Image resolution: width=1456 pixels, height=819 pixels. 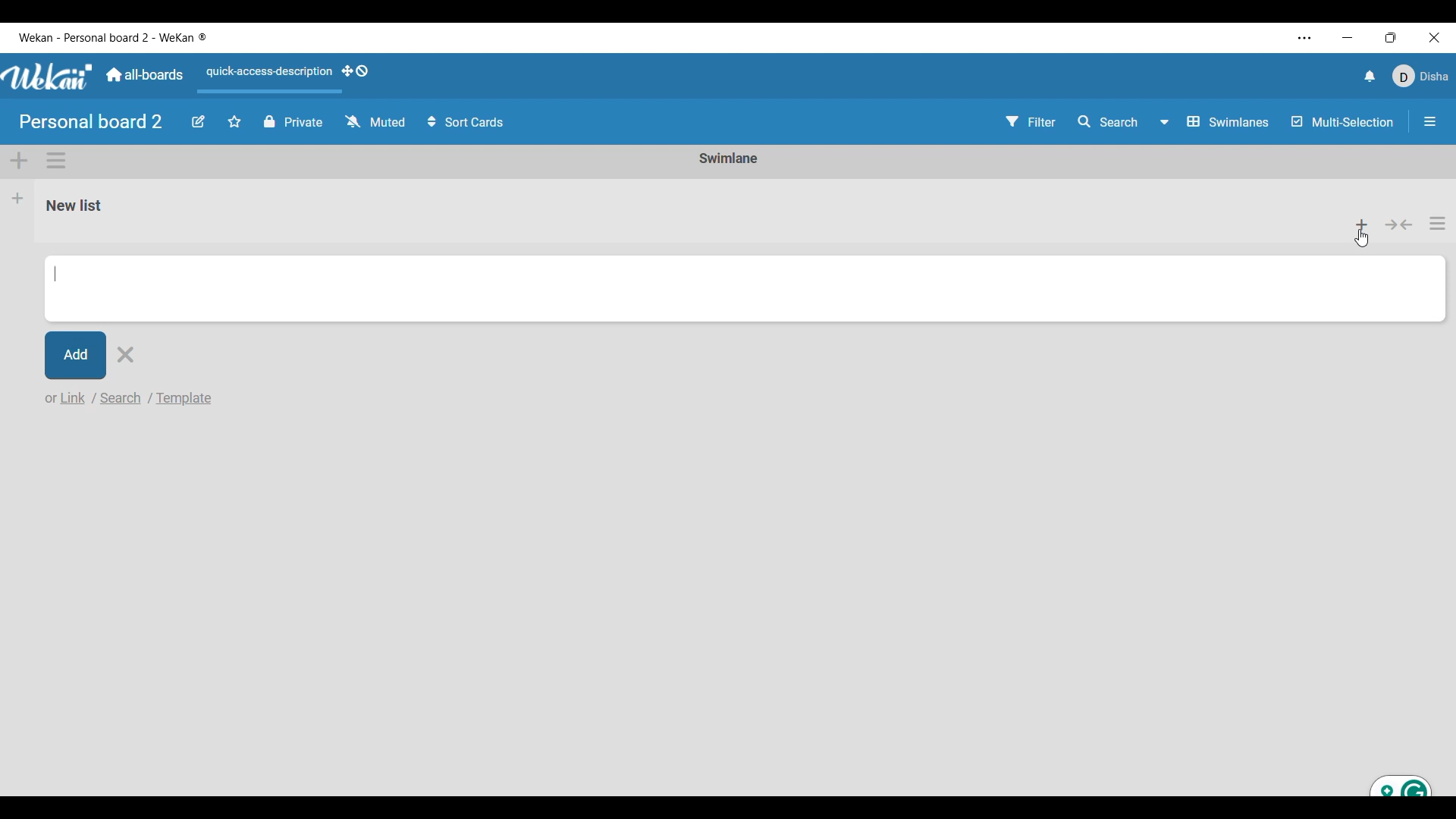 What do you see at coordinates (1434, 37) in the screenshot?
I see `Close interface` at bounding box center [1434, 37].